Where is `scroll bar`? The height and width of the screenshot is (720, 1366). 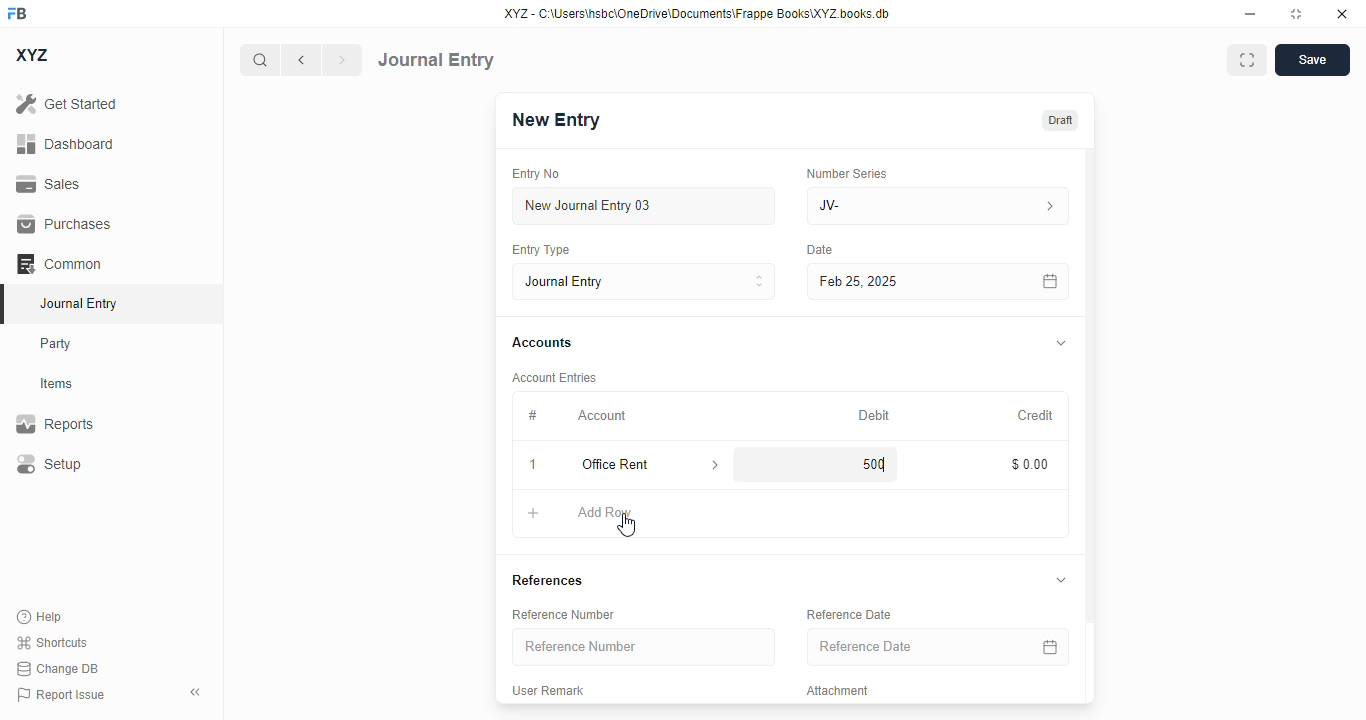 scroll bar is located at coordinates (1091, 424).